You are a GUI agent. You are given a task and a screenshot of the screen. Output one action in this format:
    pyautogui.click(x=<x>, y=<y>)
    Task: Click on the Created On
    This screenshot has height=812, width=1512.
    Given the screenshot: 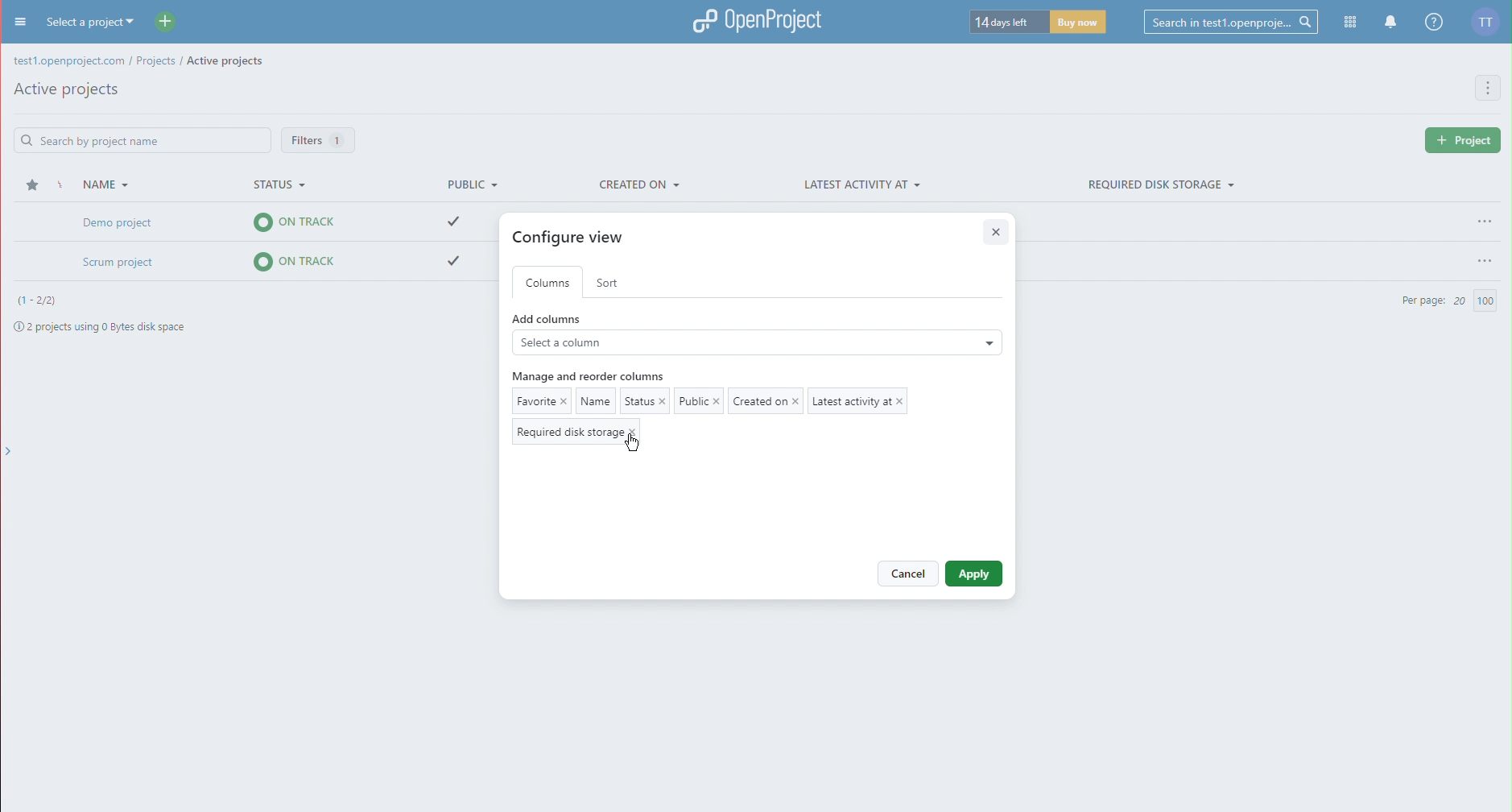 What is the action you would take?
    pyautogui.click(x=638, y=184)
    